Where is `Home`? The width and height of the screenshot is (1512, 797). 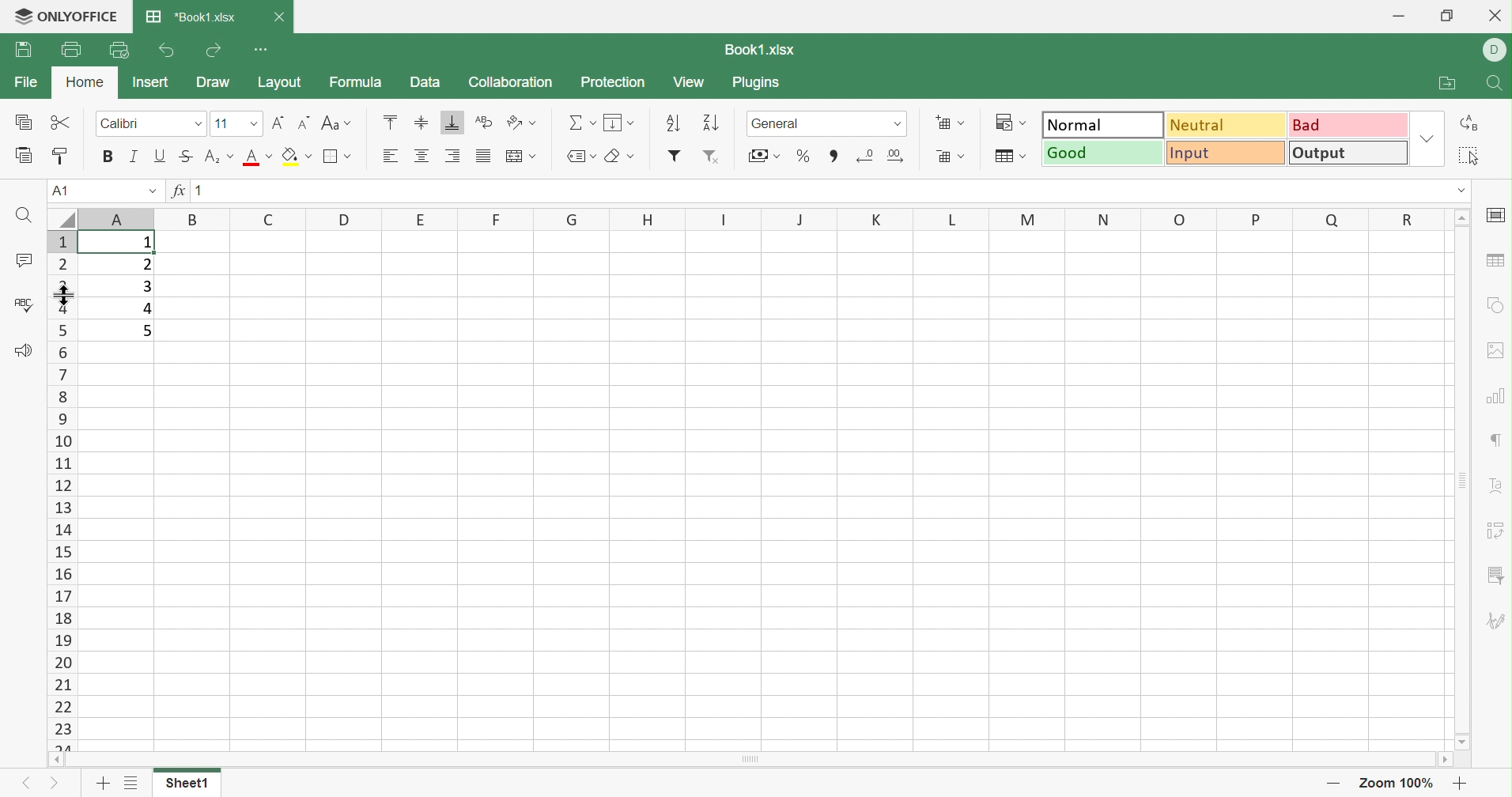
Home is located at coordinates (83, 81).